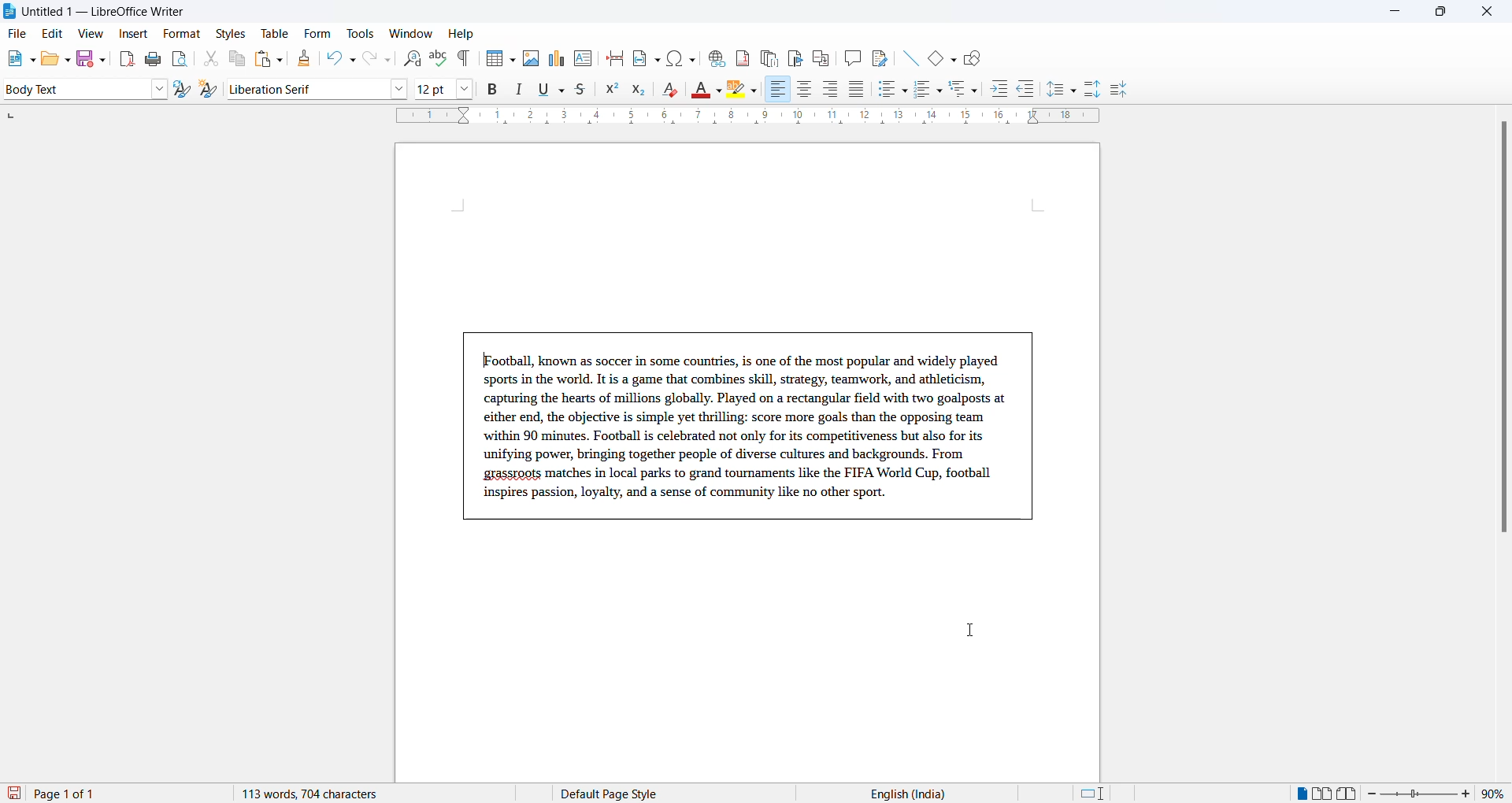 The image size is (1512, 803). I want to click on close, so click(1491, 13).